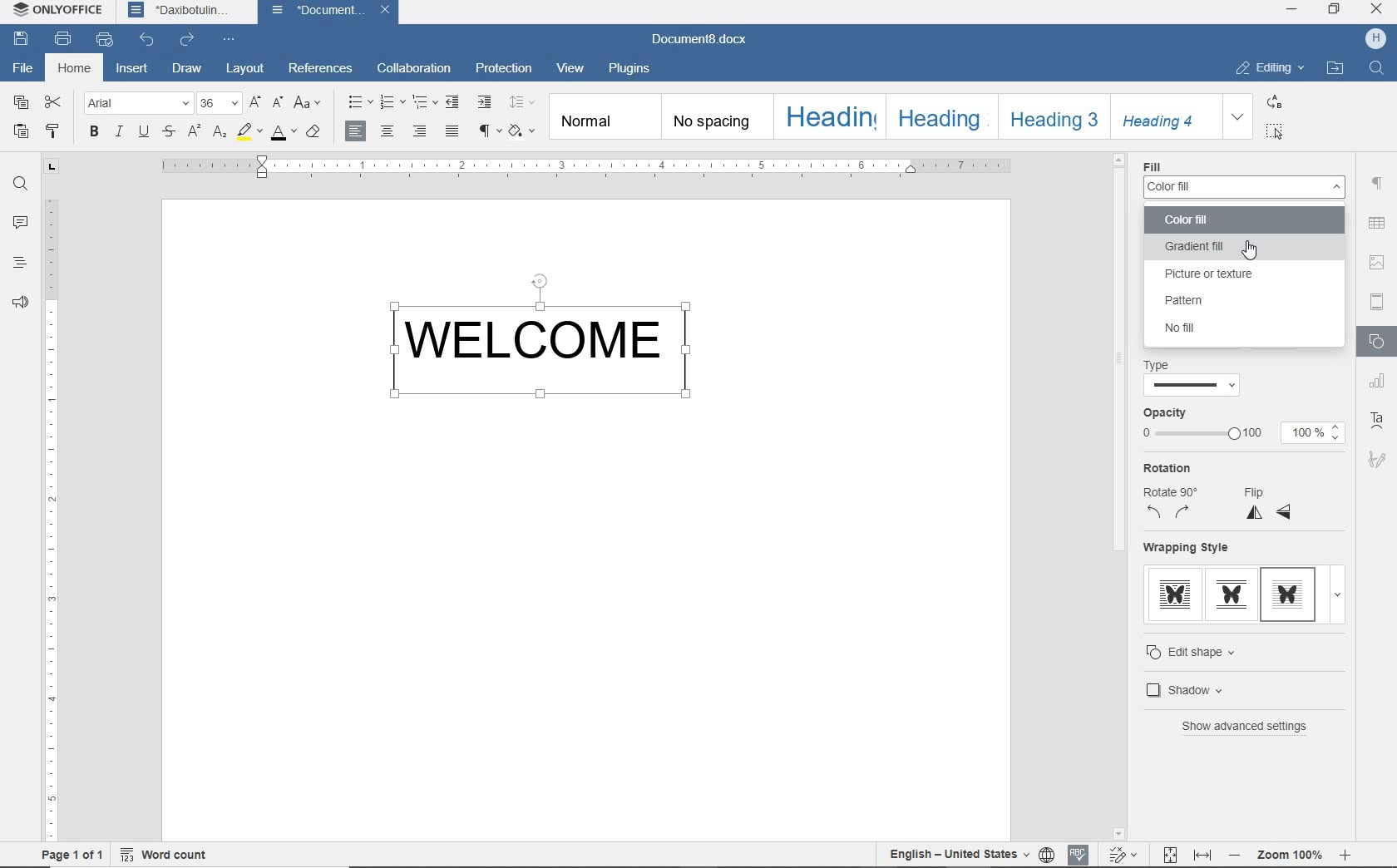 The image size is (1397, 868). I want to click on ALIGN RIGHT, so click(420, 130).